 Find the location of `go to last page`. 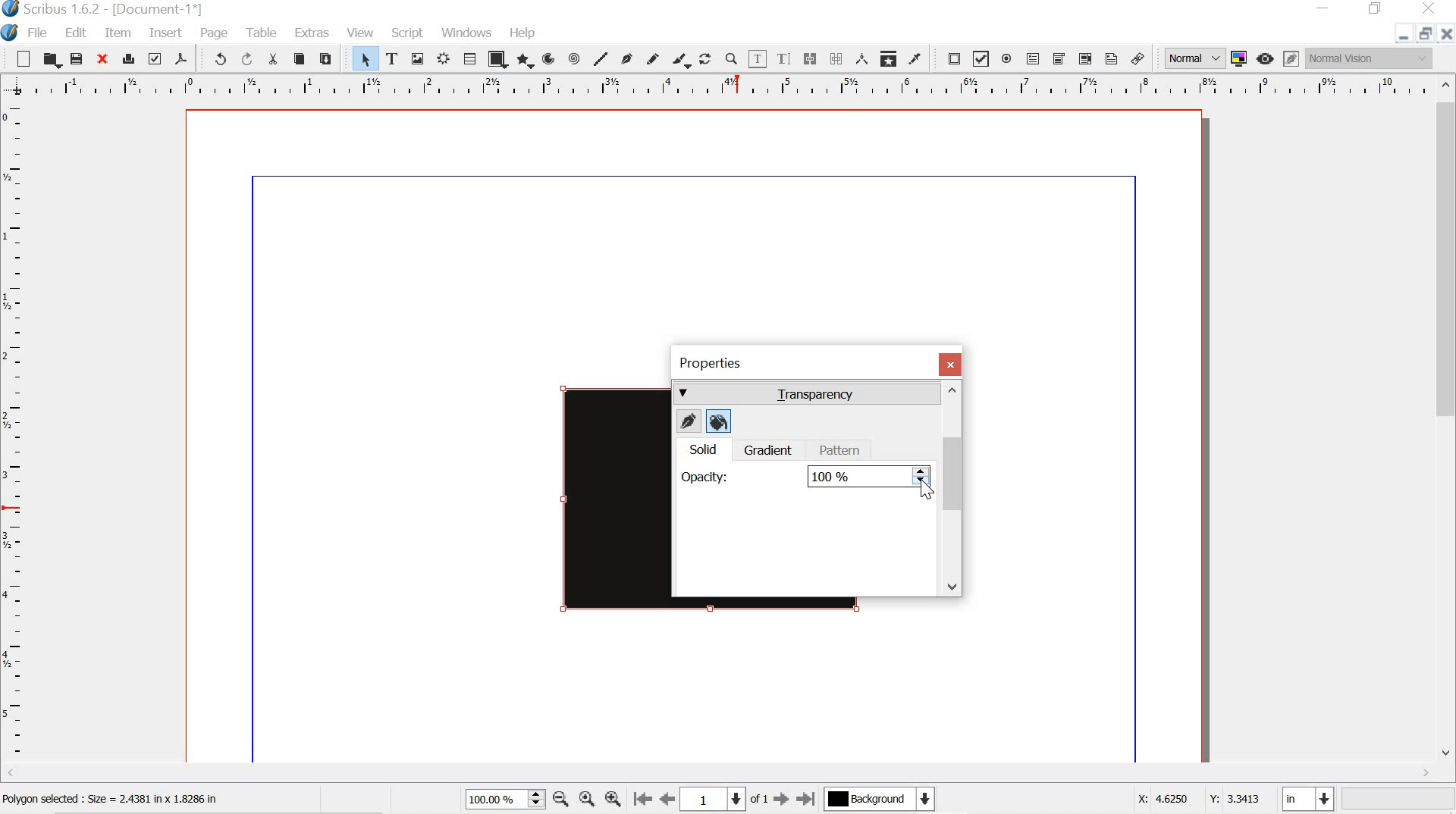

go to last page is located at coordinates (805, 799).